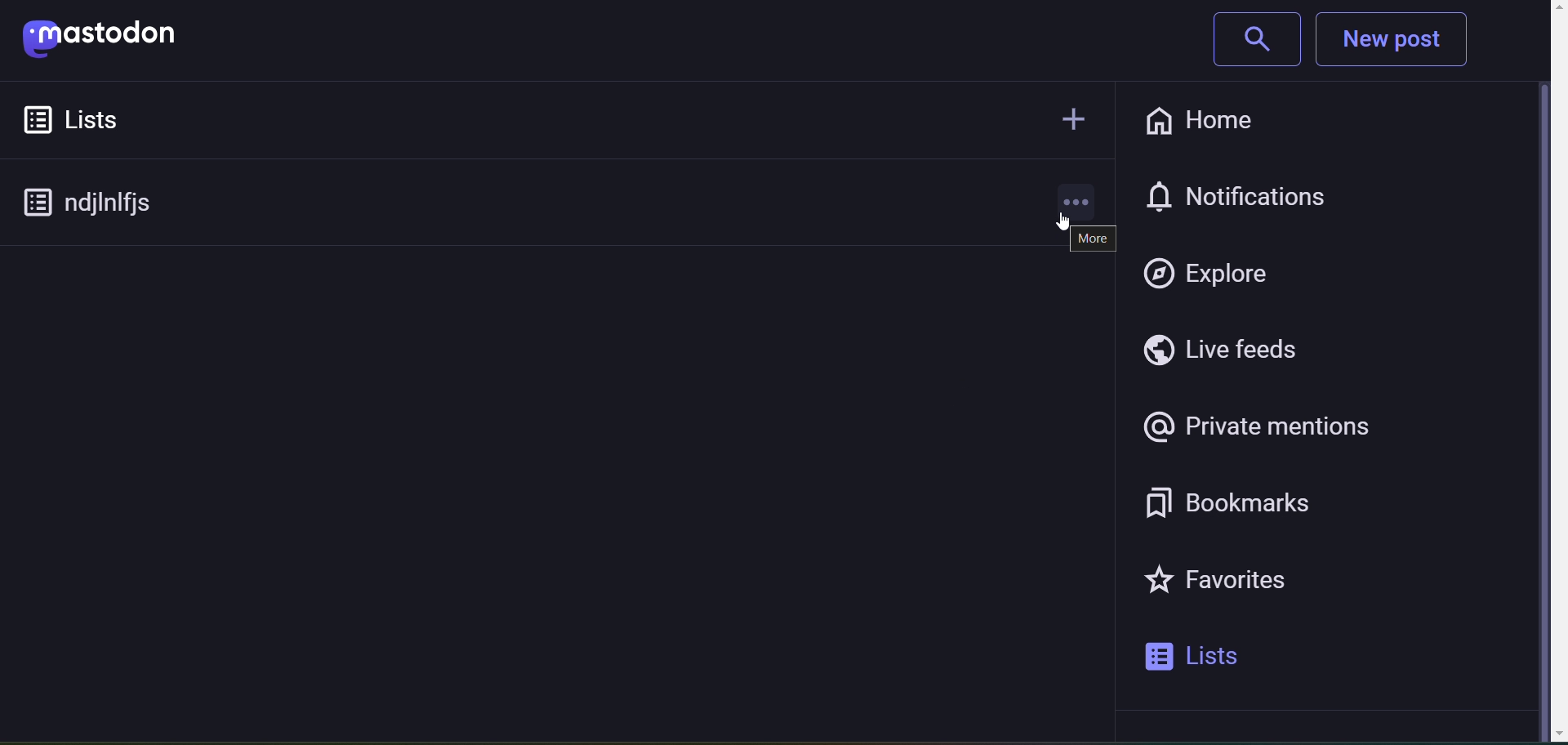 The image size is (1568, 745). Describe the element at coordinates (1214, 658) in the screenshot. I see `lists` at that location.